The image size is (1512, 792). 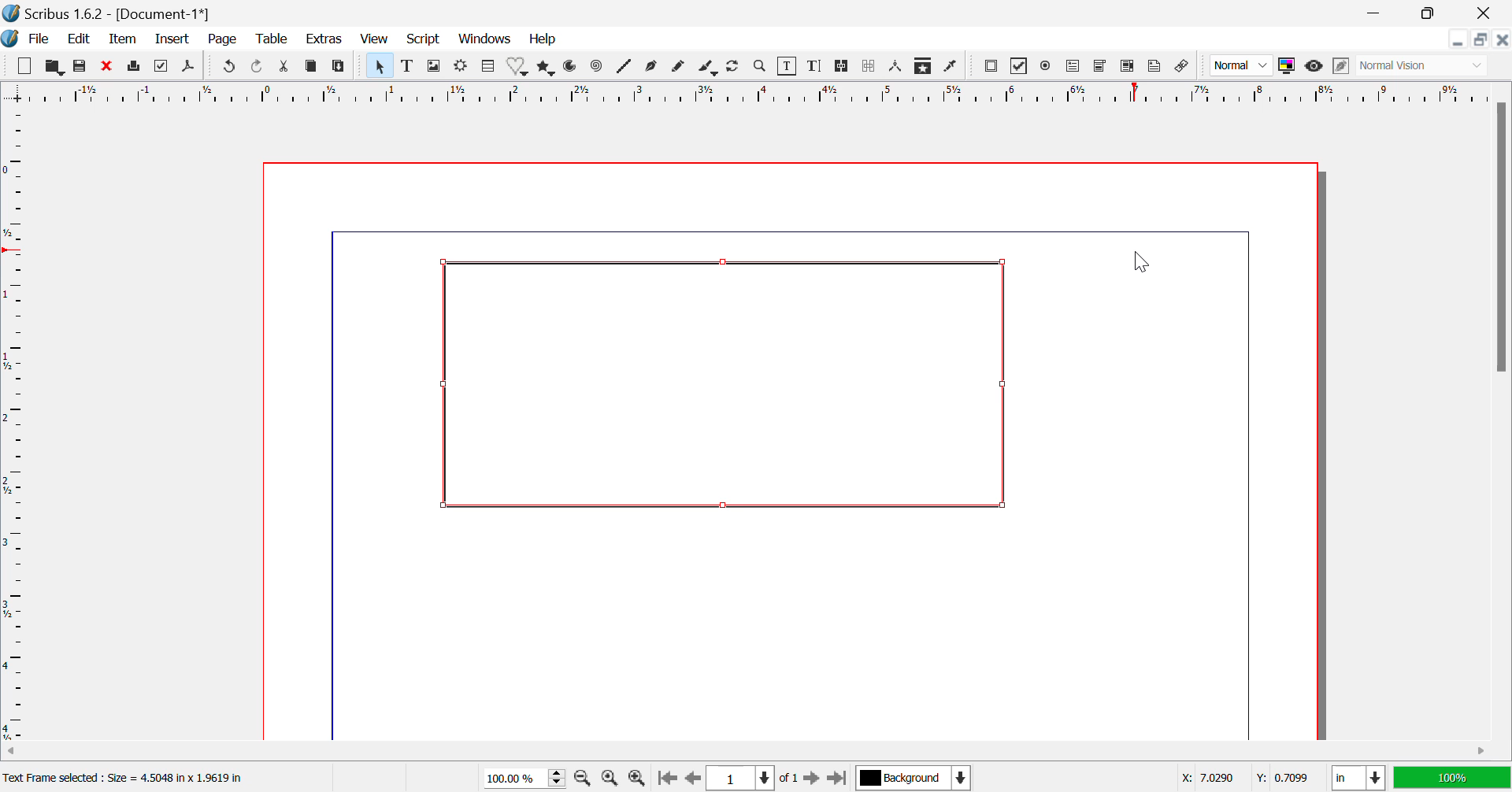 What do you see at coordinates (752, 777) in the screenshot?
I see `Page 1 of 1` at bounding box center [752, 777].